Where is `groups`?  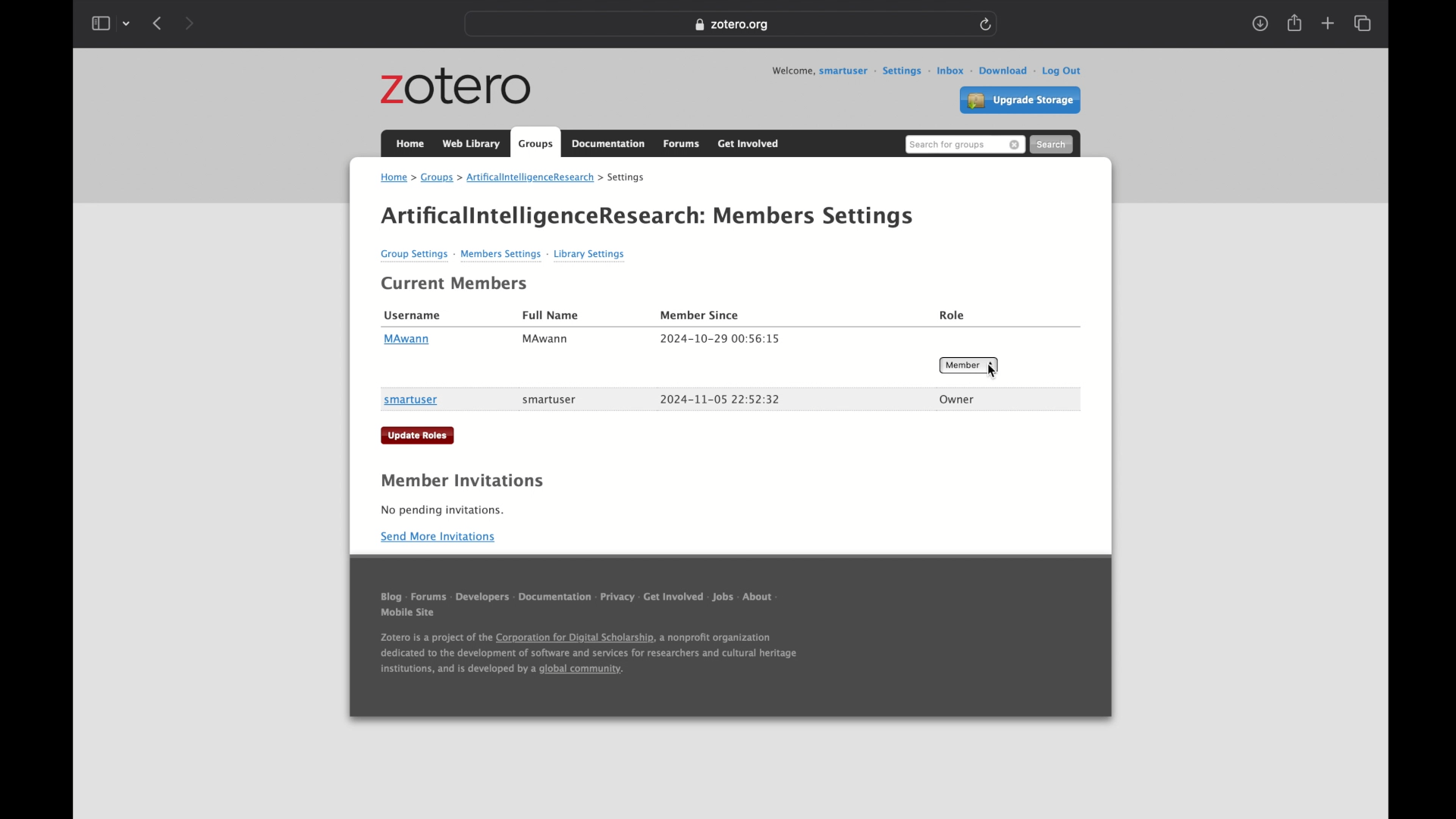 groups is located at coordinates (536, 142).